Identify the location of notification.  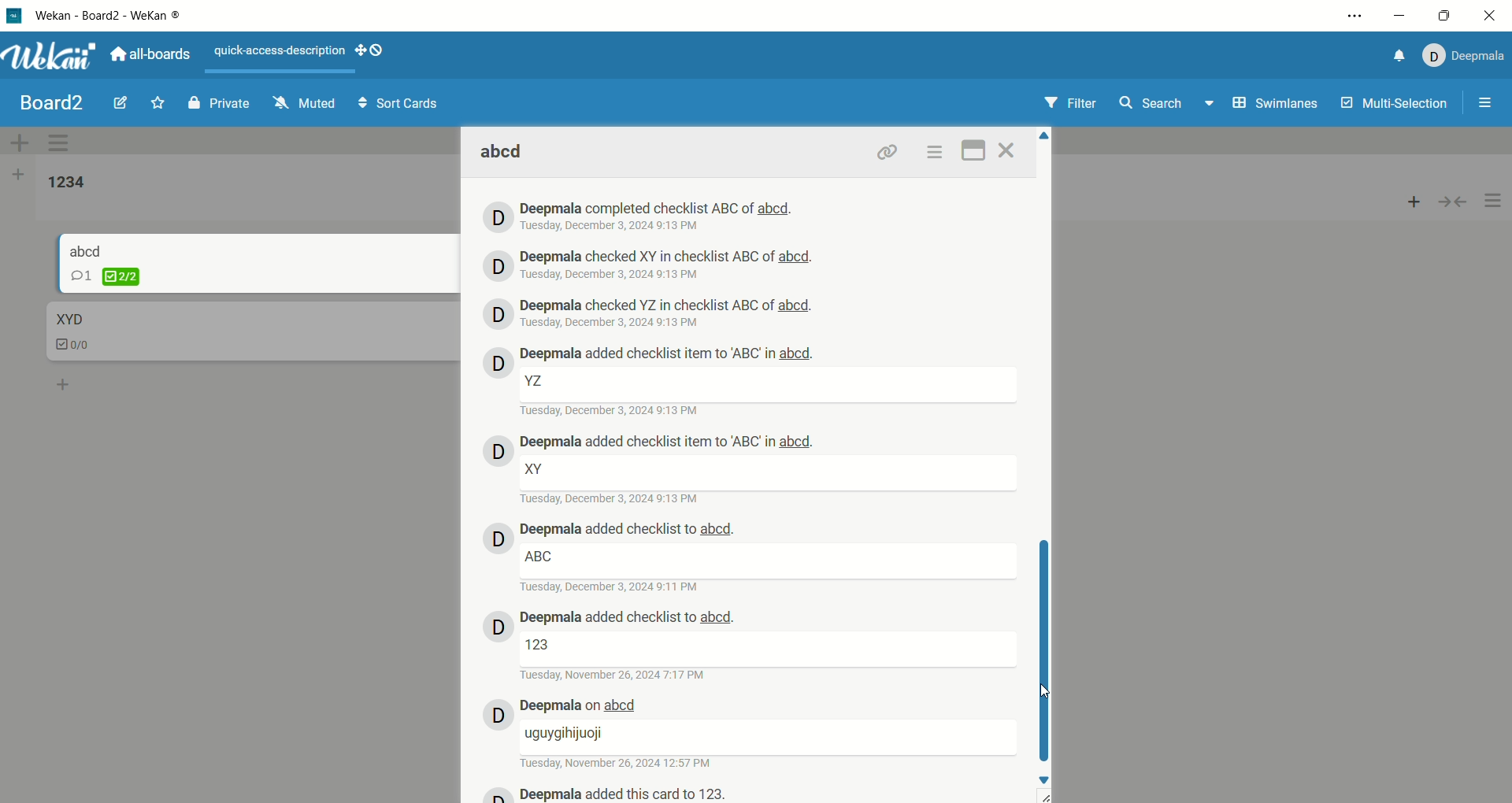
(1395, 58).